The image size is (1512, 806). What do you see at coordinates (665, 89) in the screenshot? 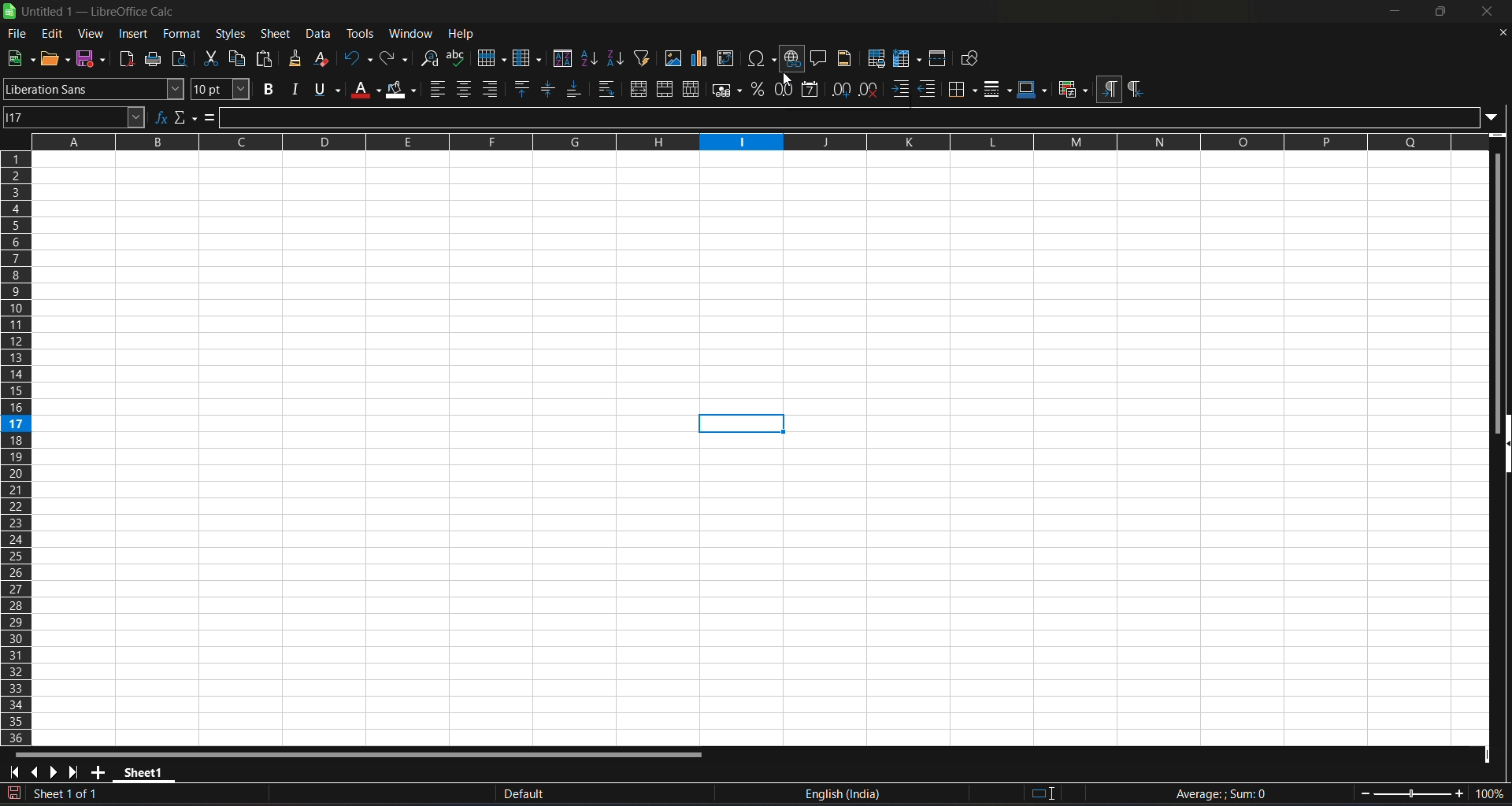
I see `merge cells` at bounding box center [665, 89].